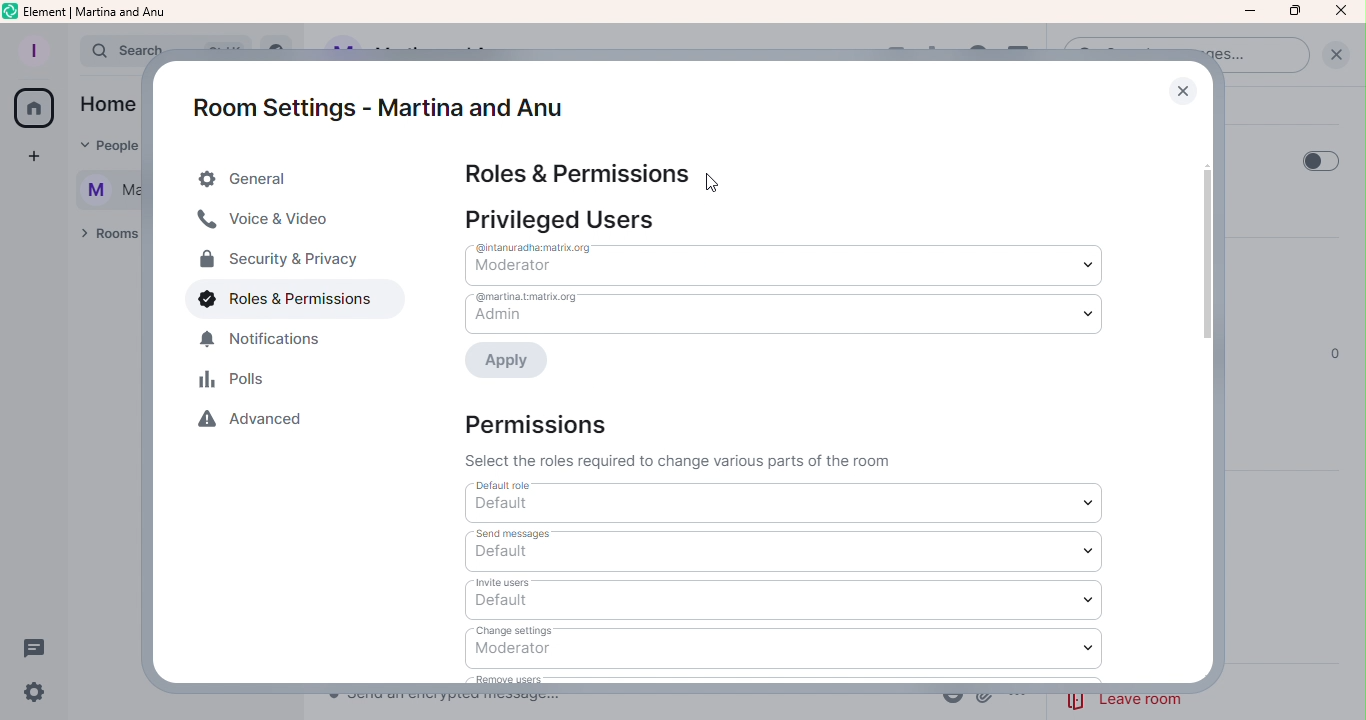  Describe the element at coordinates (99, 192) in the screenshot. I see `Martina and Anu` at that location.